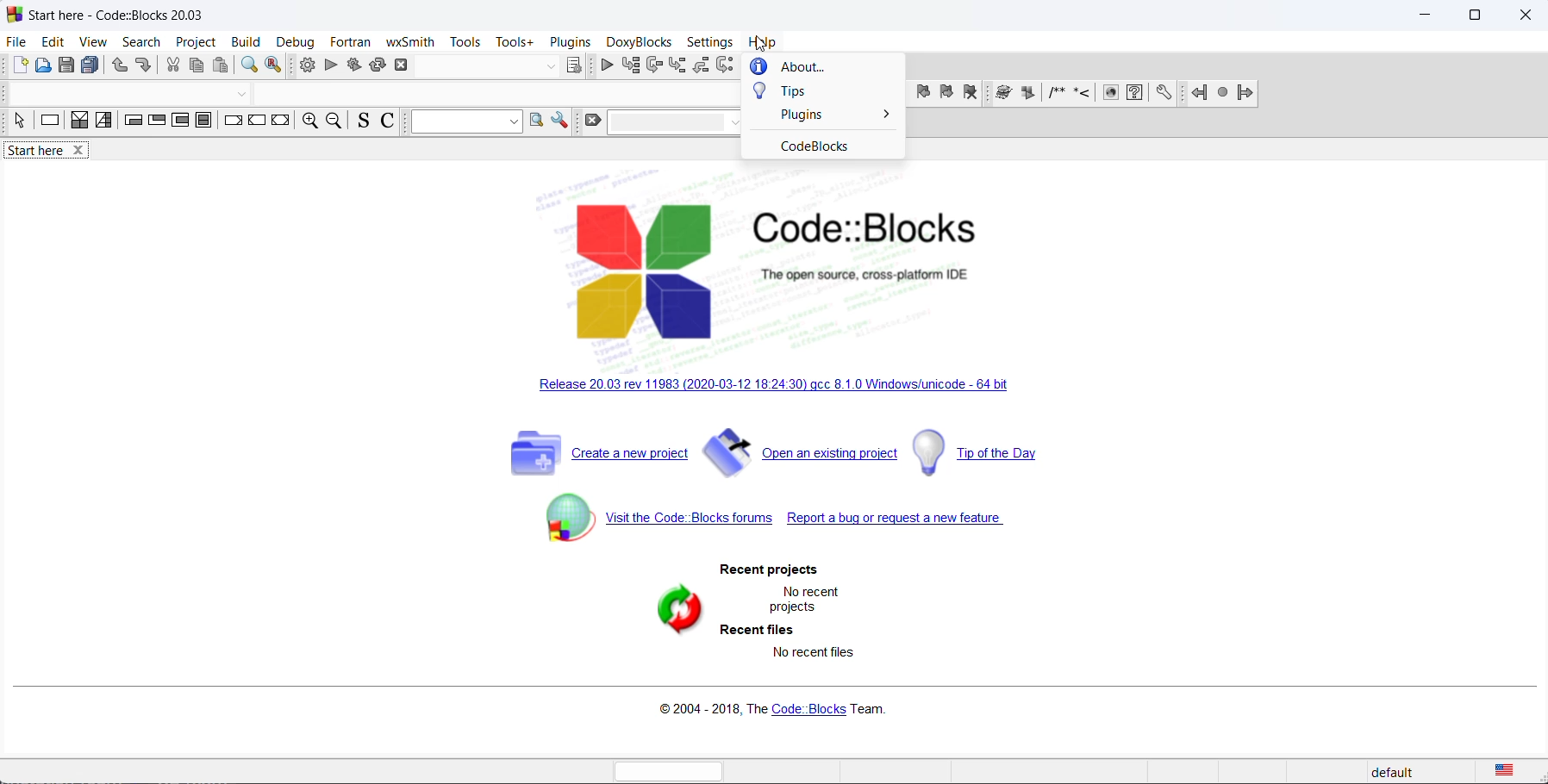 Image resolution: width=1548 pixels, height=784 pixels. I want to click on exit condition loop, so click(155, 124).